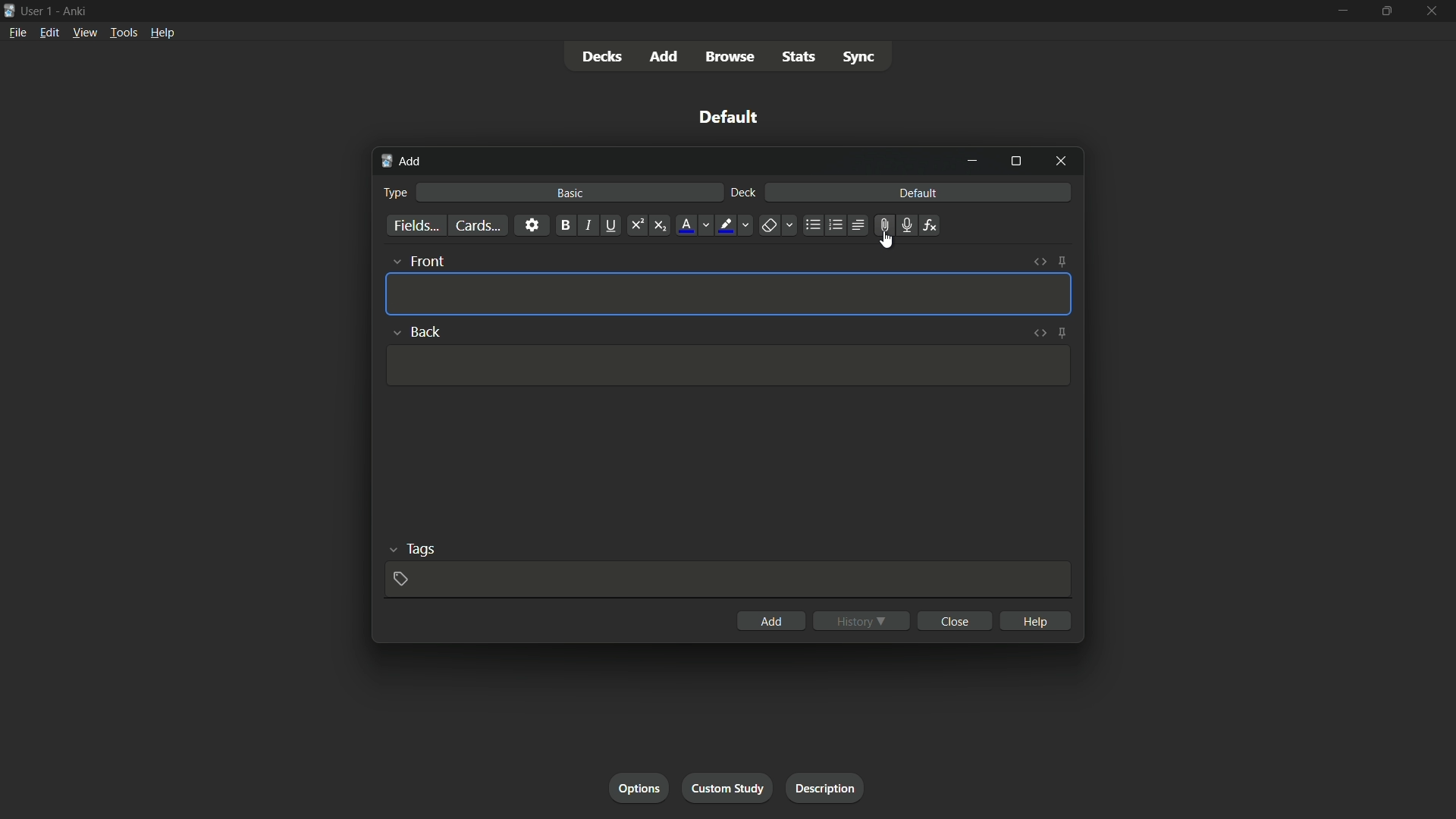 The image size is (1456, 819). What do you see at coordinates (661, 225) in the screenshot?
I see `subscript` at bounding box center [661, 225].